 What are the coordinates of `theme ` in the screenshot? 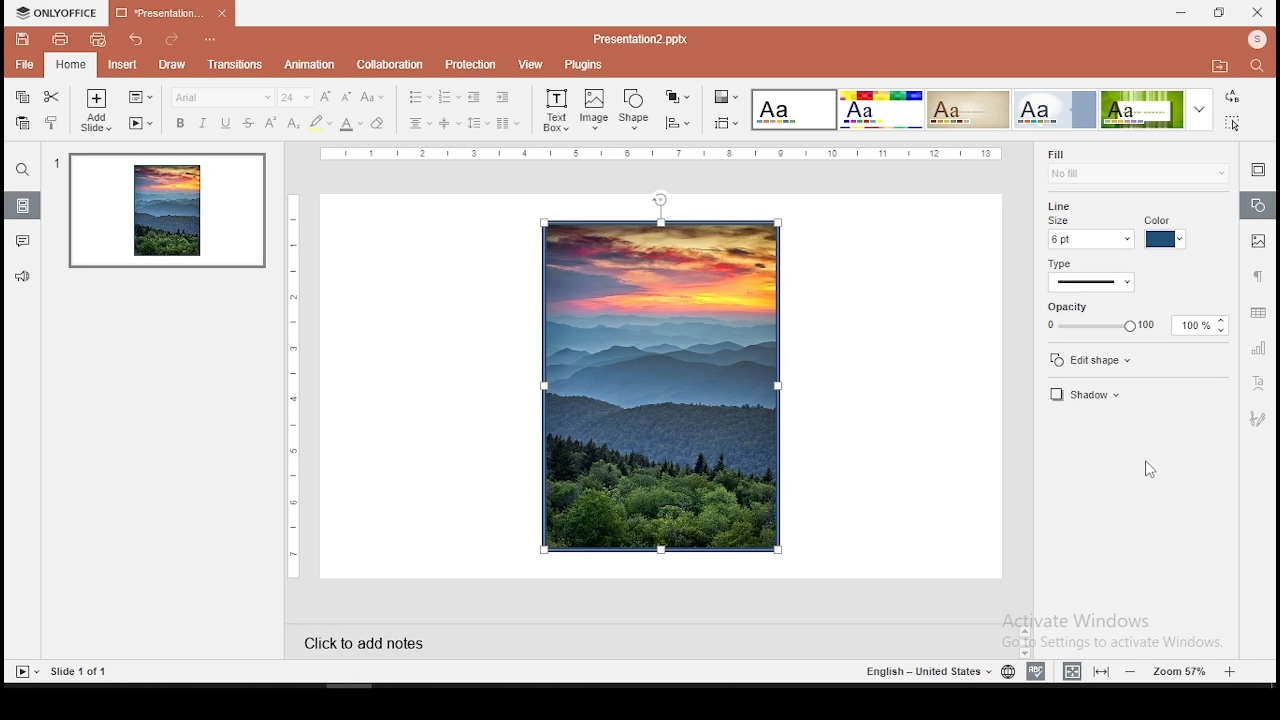 It's located at (968, 110).